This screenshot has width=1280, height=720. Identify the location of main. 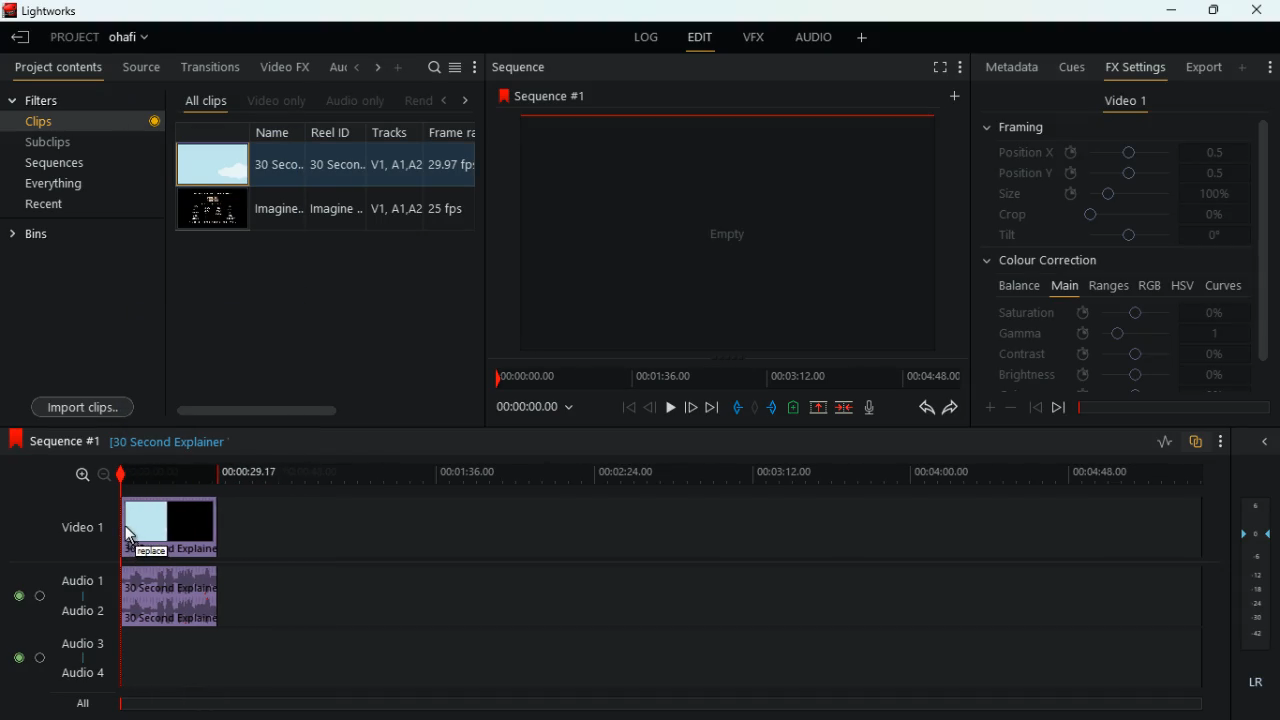
(1064, 285).